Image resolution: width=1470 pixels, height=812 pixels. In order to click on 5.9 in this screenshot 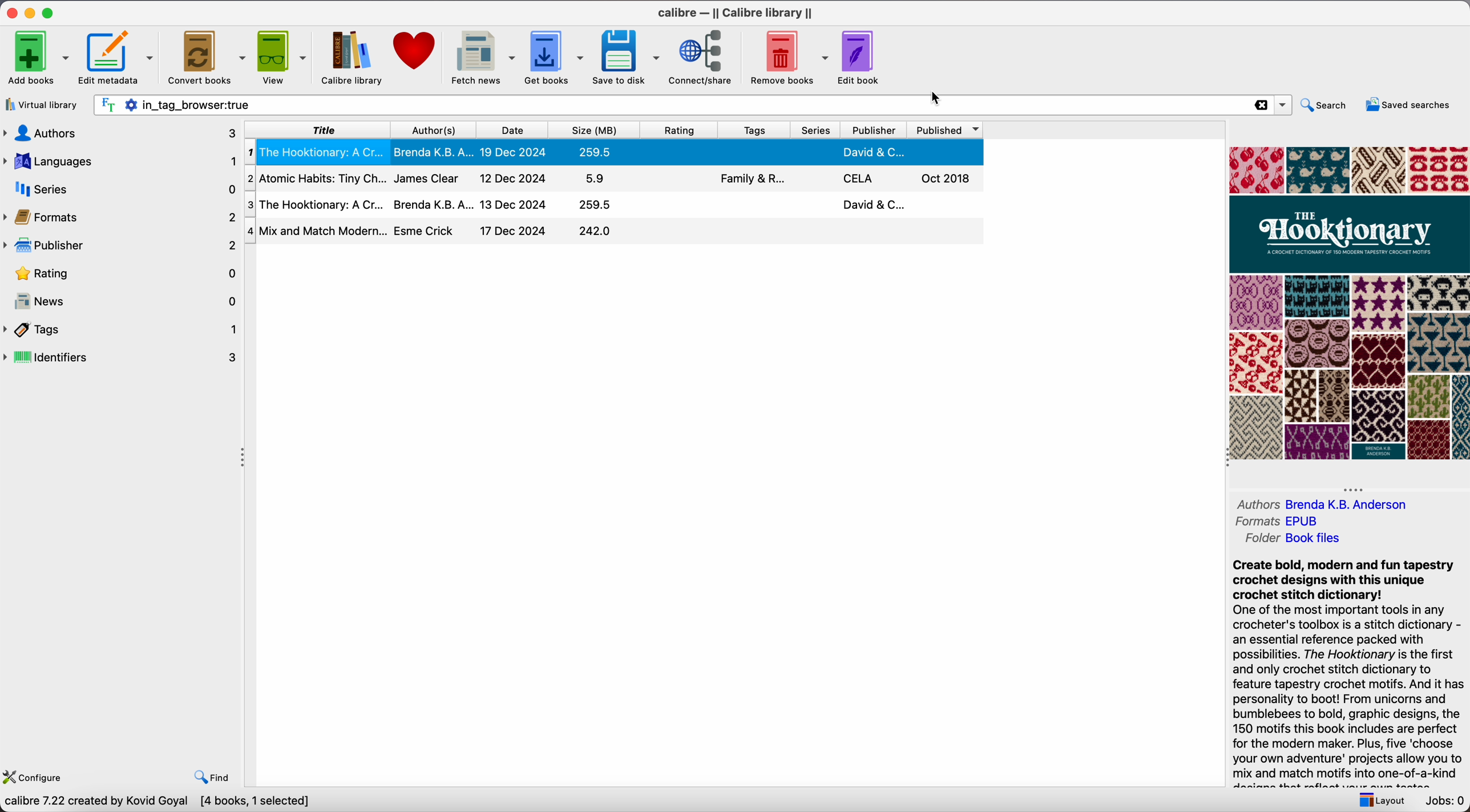, I will do `click(597, 179)`.